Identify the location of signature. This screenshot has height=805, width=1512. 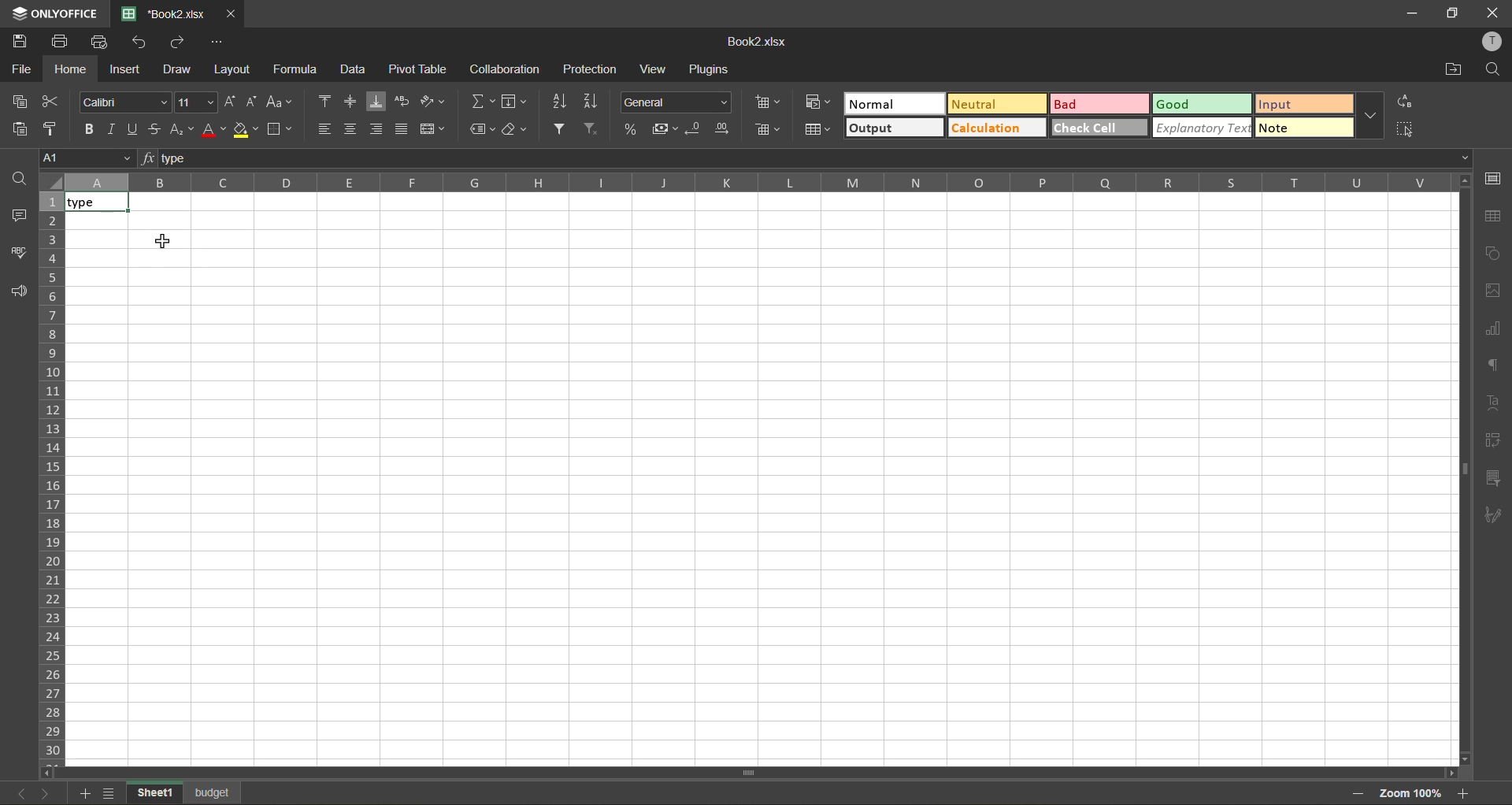
(1492, 517).